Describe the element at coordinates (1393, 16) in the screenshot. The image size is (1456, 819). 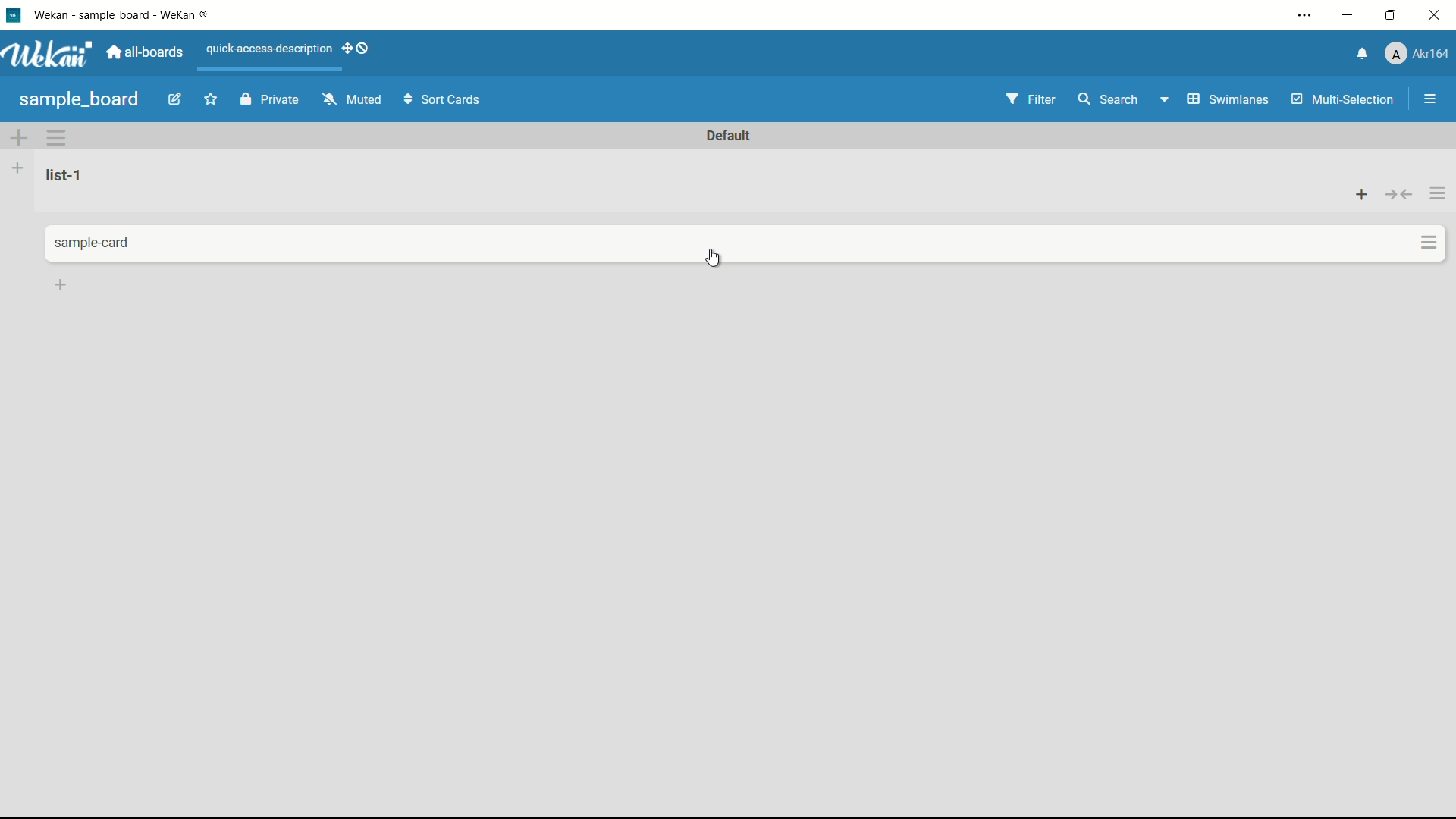
I see `maximize` at that location.